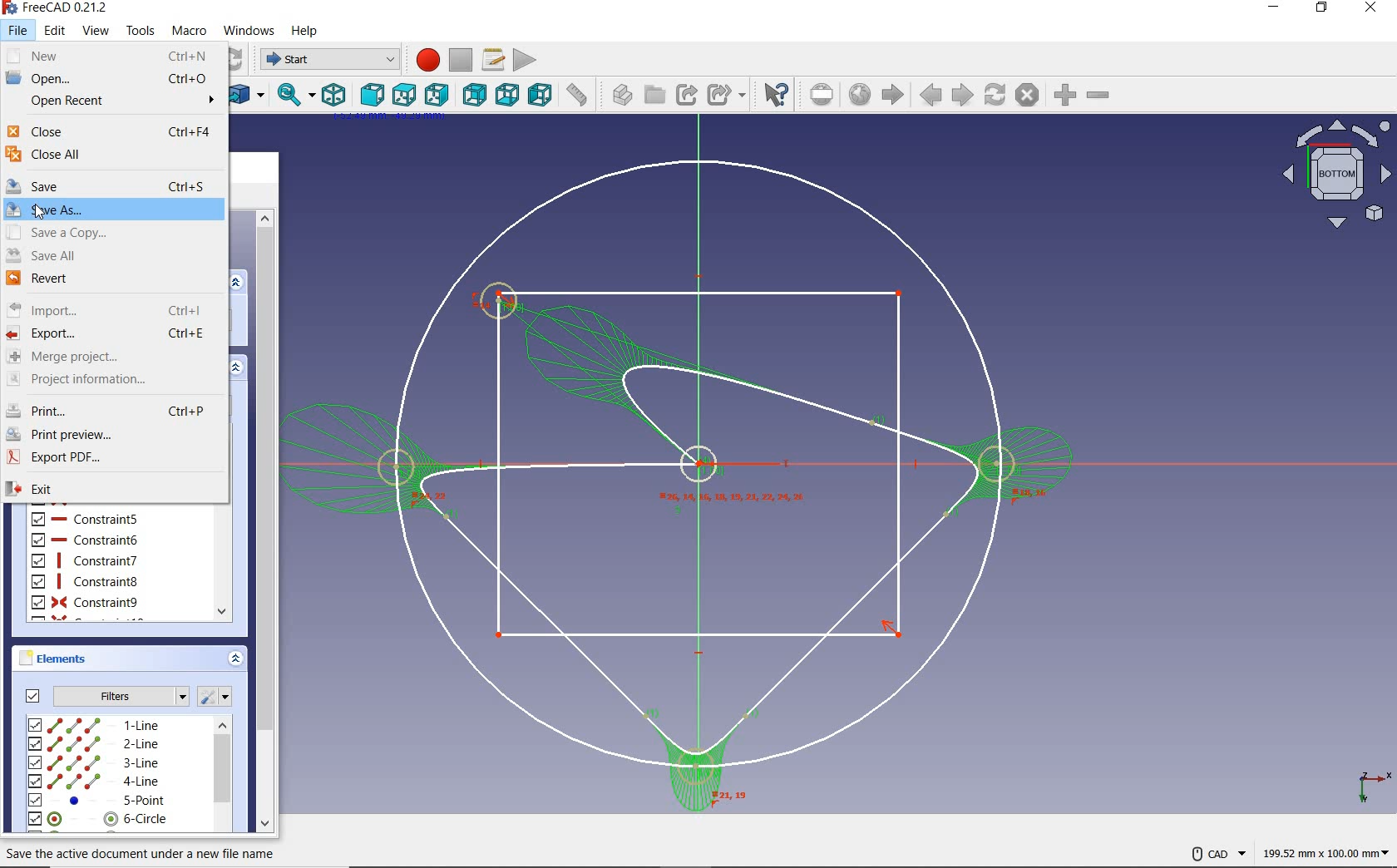 This screenshot has width=1397, height=868. Describe the element at coordinates (250, 30) in the screenshot. I see `windows` at that location.